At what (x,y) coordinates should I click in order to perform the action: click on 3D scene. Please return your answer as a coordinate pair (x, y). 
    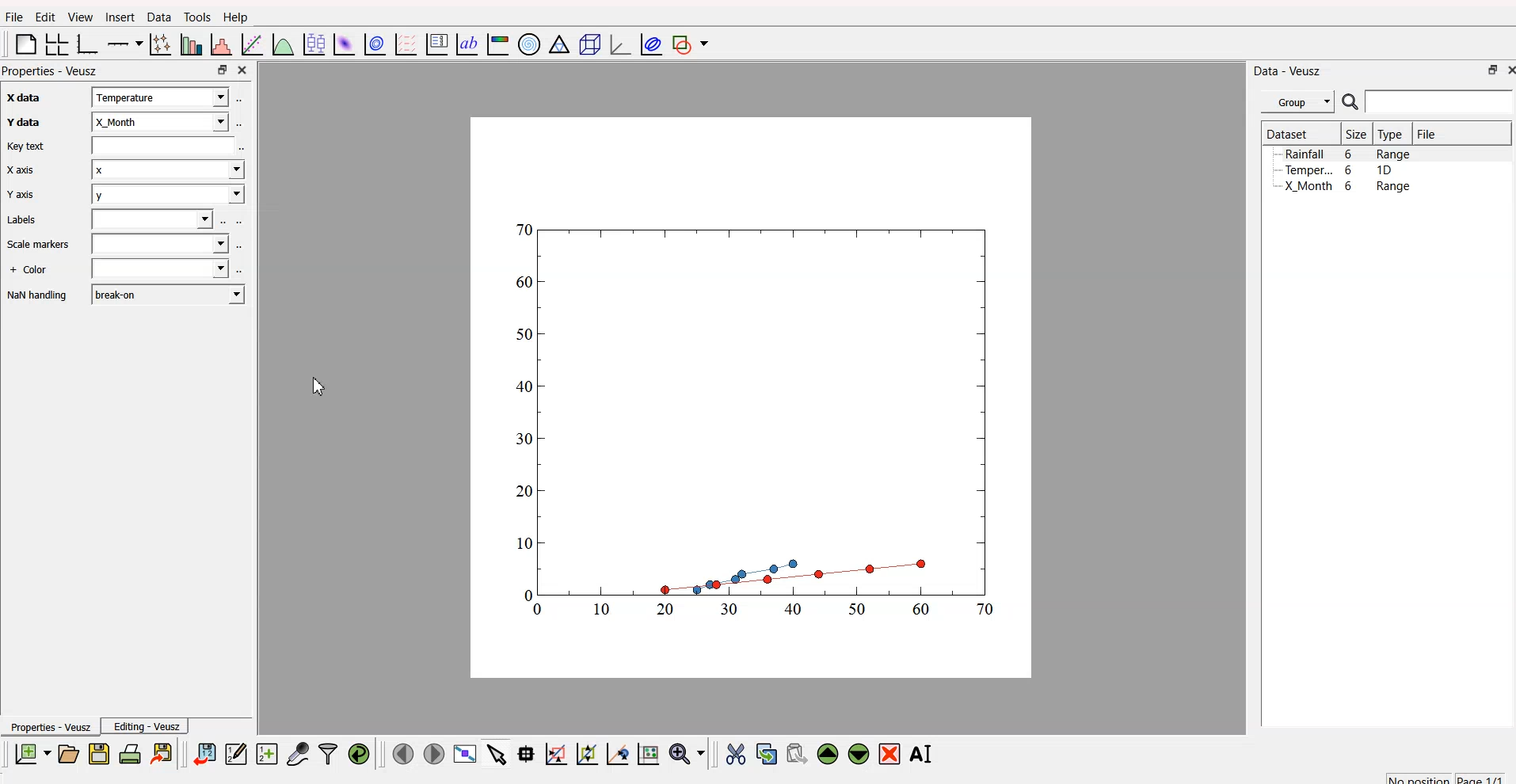
    Looking at the image, I should click on (586, 44).